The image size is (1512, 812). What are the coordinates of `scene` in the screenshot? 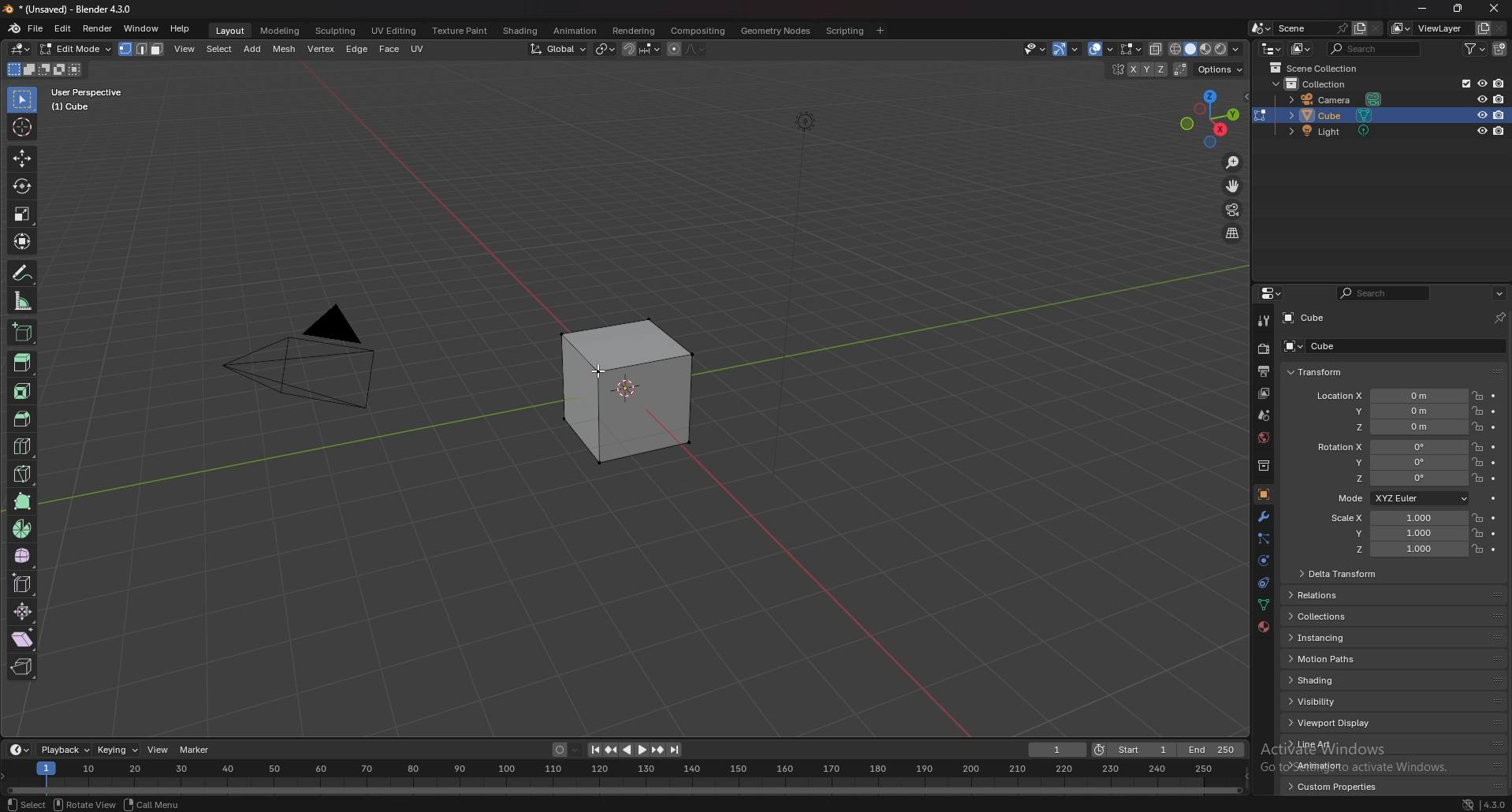 It's located at (1313, 28).